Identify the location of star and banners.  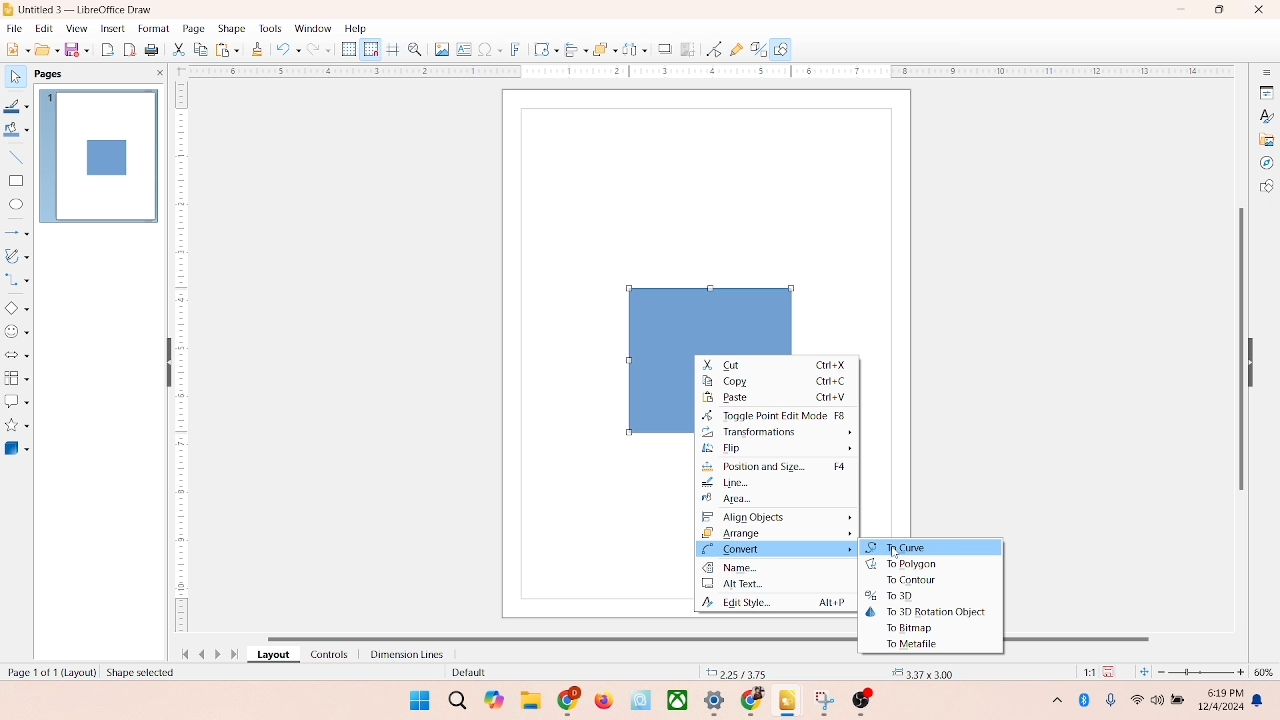
(19, 425).